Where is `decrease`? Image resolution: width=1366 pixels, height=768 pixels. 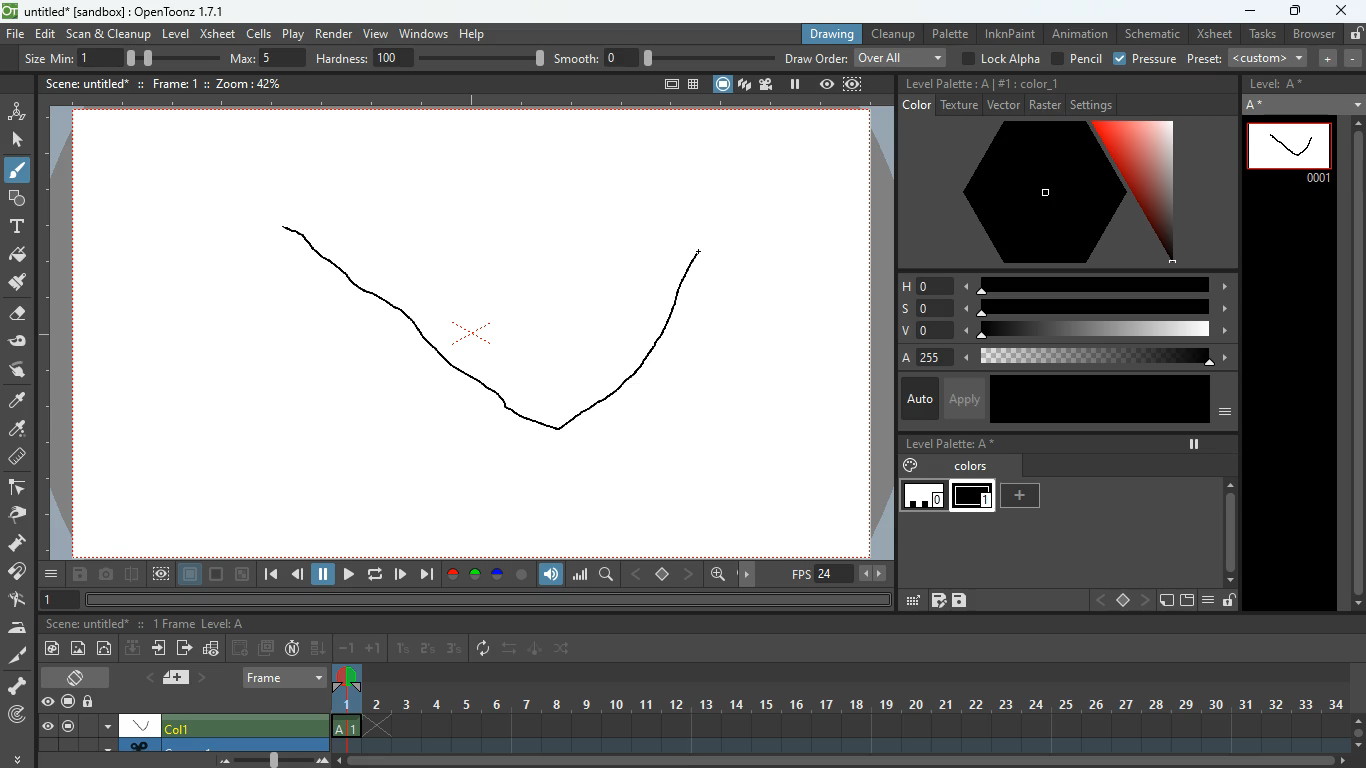
decrease is located at coordinates (1353, 58).